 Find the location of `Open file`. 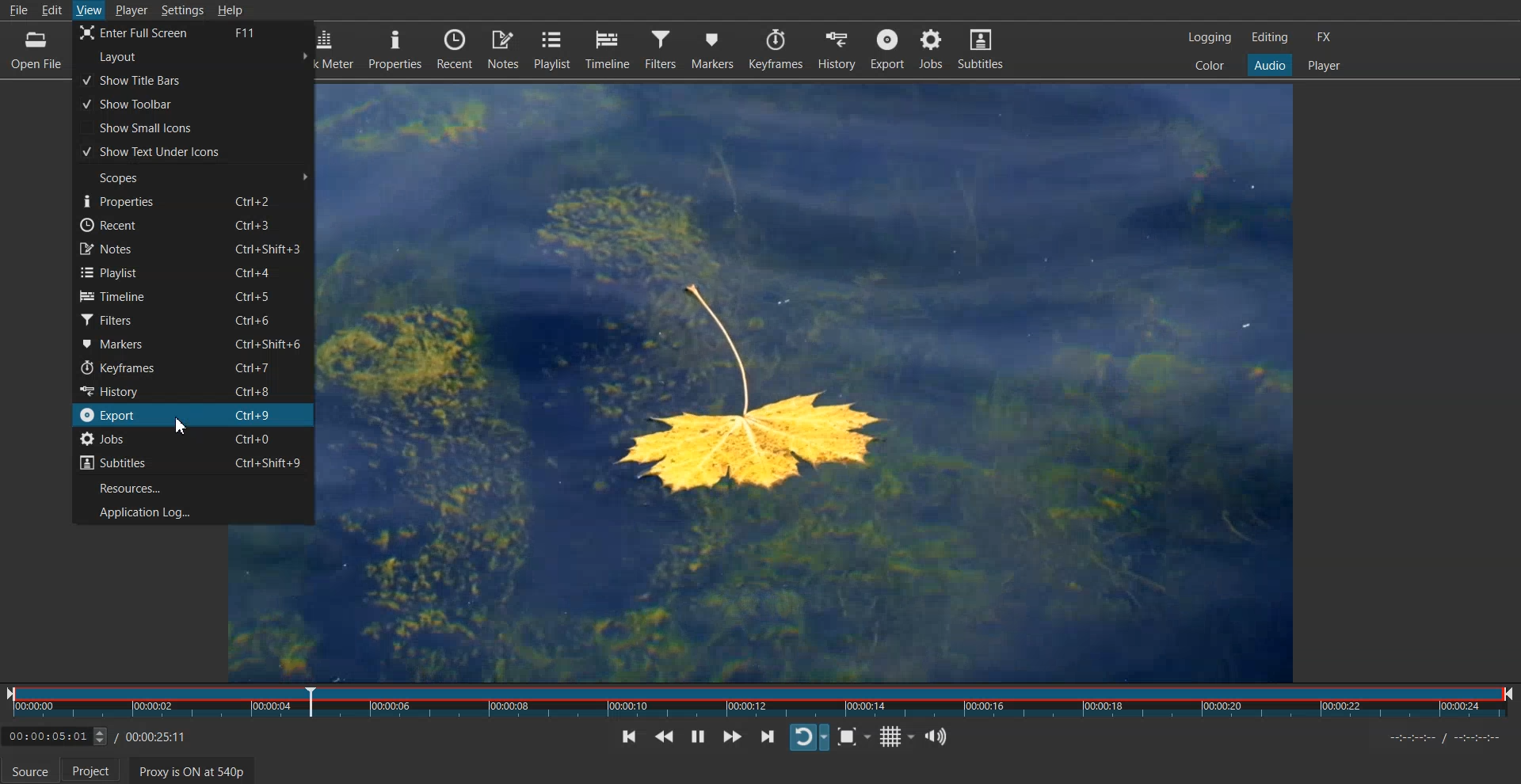

Open file is located at coordinates (37, 53).